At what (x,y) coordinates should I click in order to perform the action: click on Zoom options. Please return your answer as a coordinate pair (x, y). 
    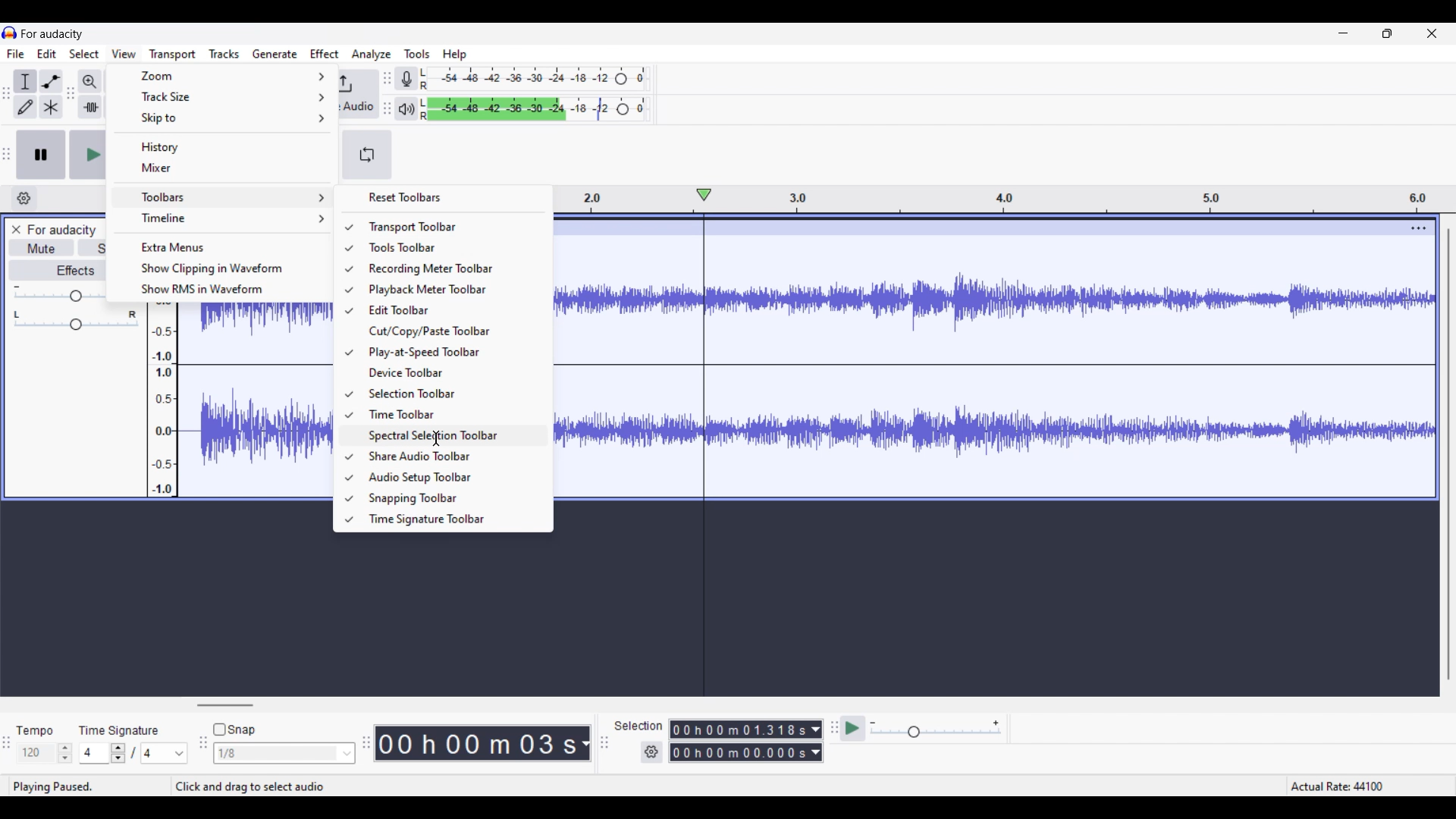
    Looking at the image, I should click on (224, 76).